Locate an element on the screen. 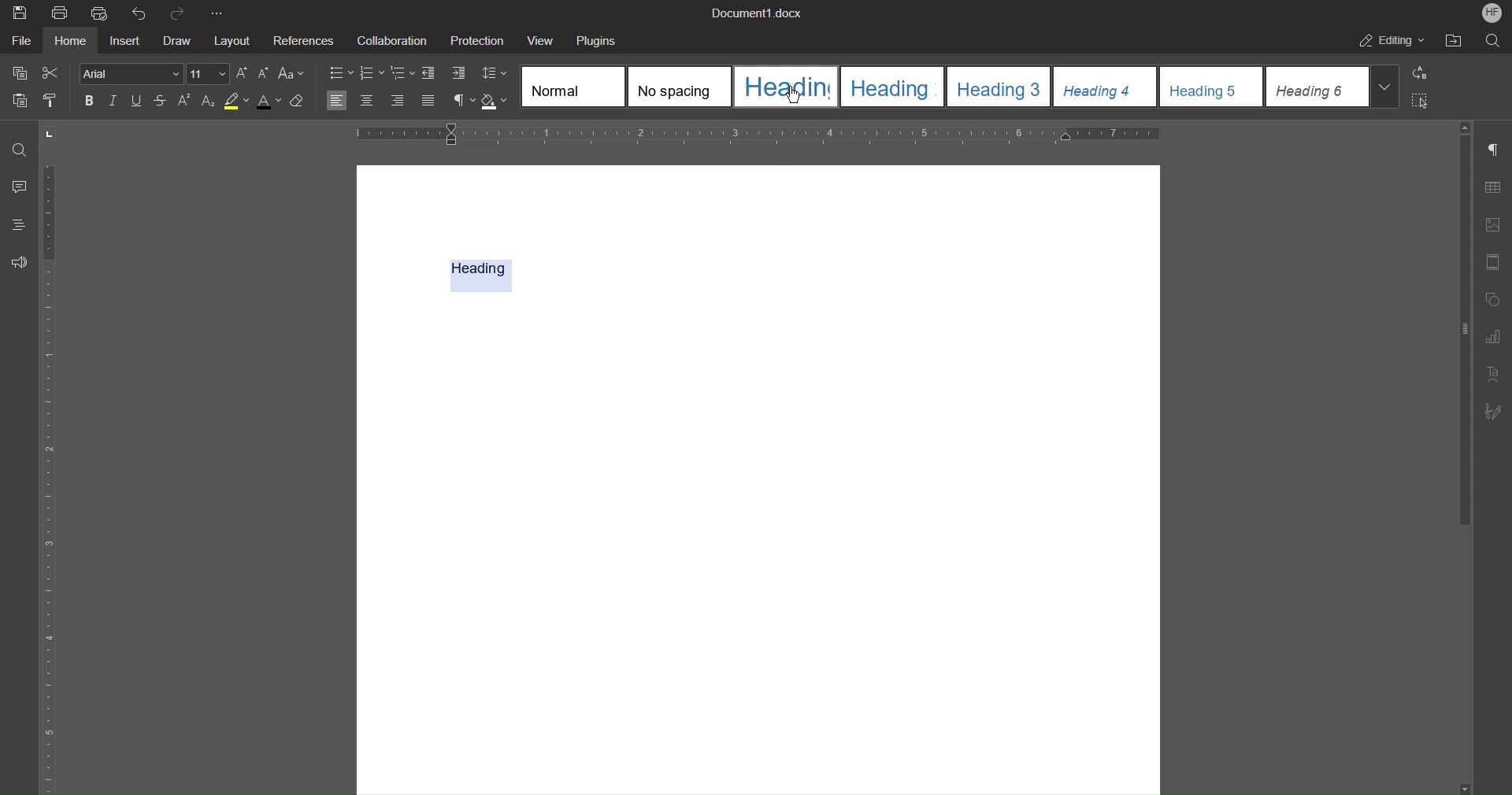 This screenshot has height=795, width=1512. Document.docx is located at coordinates (755, 13).